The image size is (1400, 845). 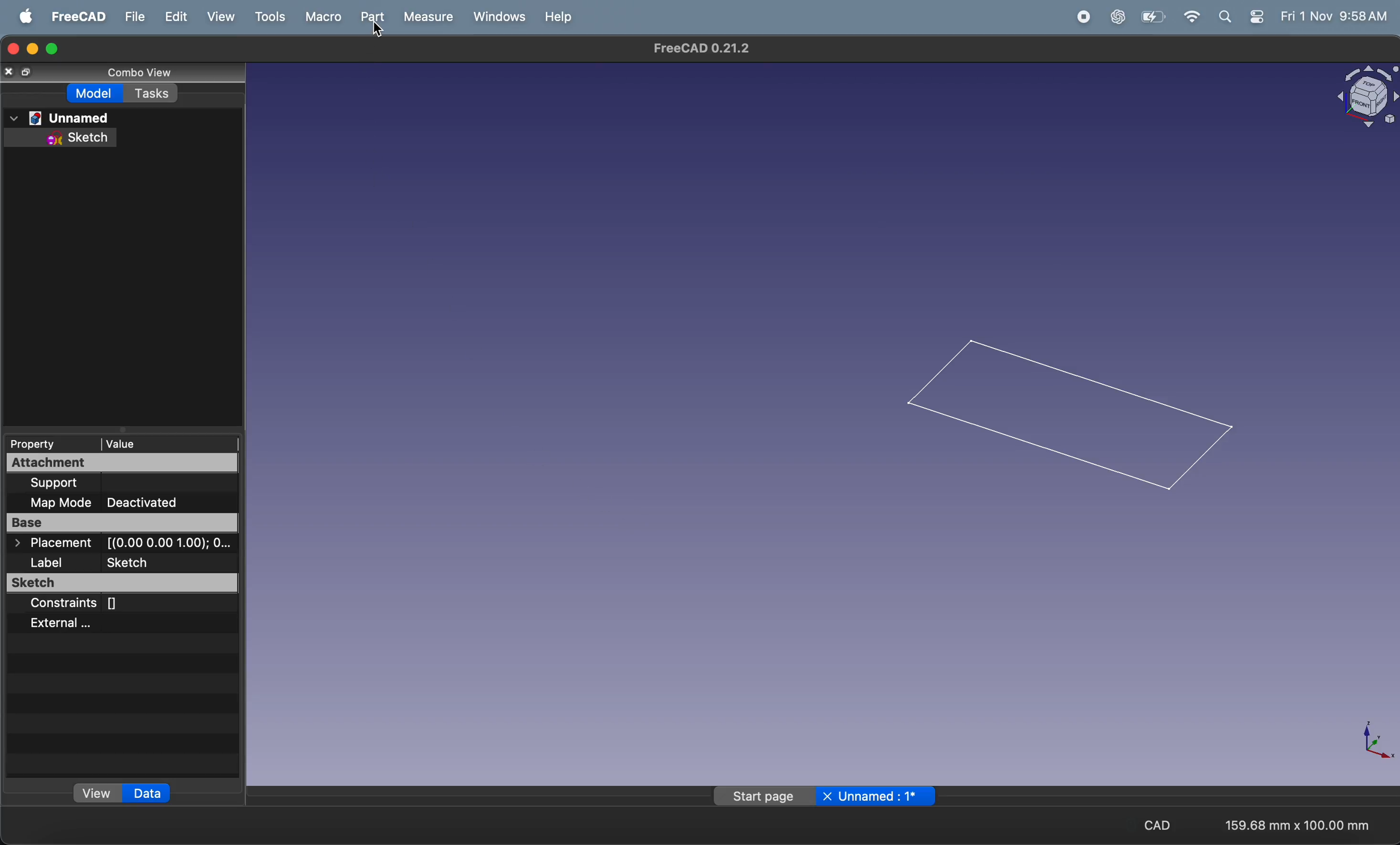 What do you see at coordinates (172, 16) in the screenshot?
I see `edit` at bounding box center [172, 16].